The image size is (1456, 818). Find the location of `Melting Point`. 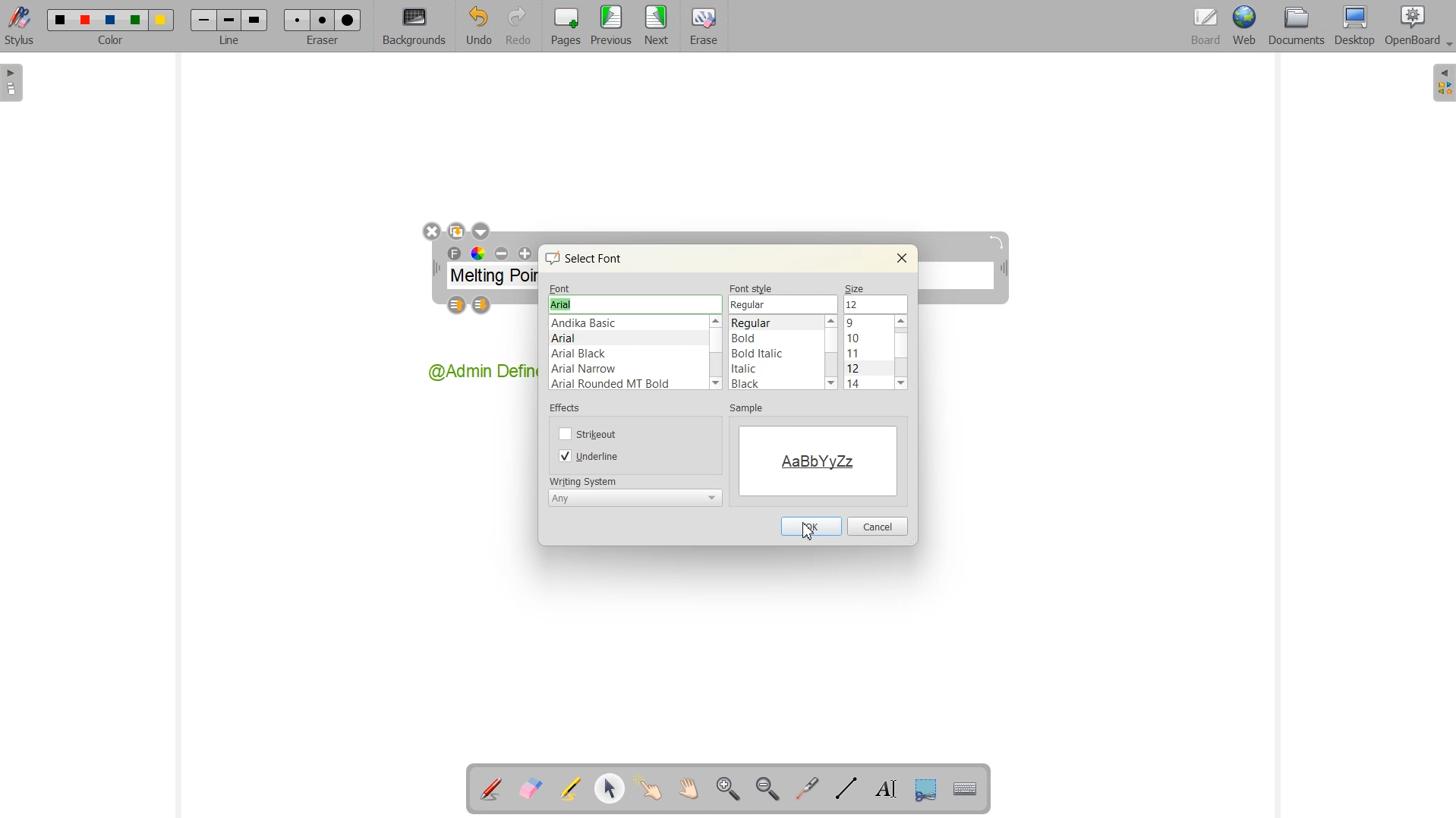

Melting Point is located at coordinates (493, 278).